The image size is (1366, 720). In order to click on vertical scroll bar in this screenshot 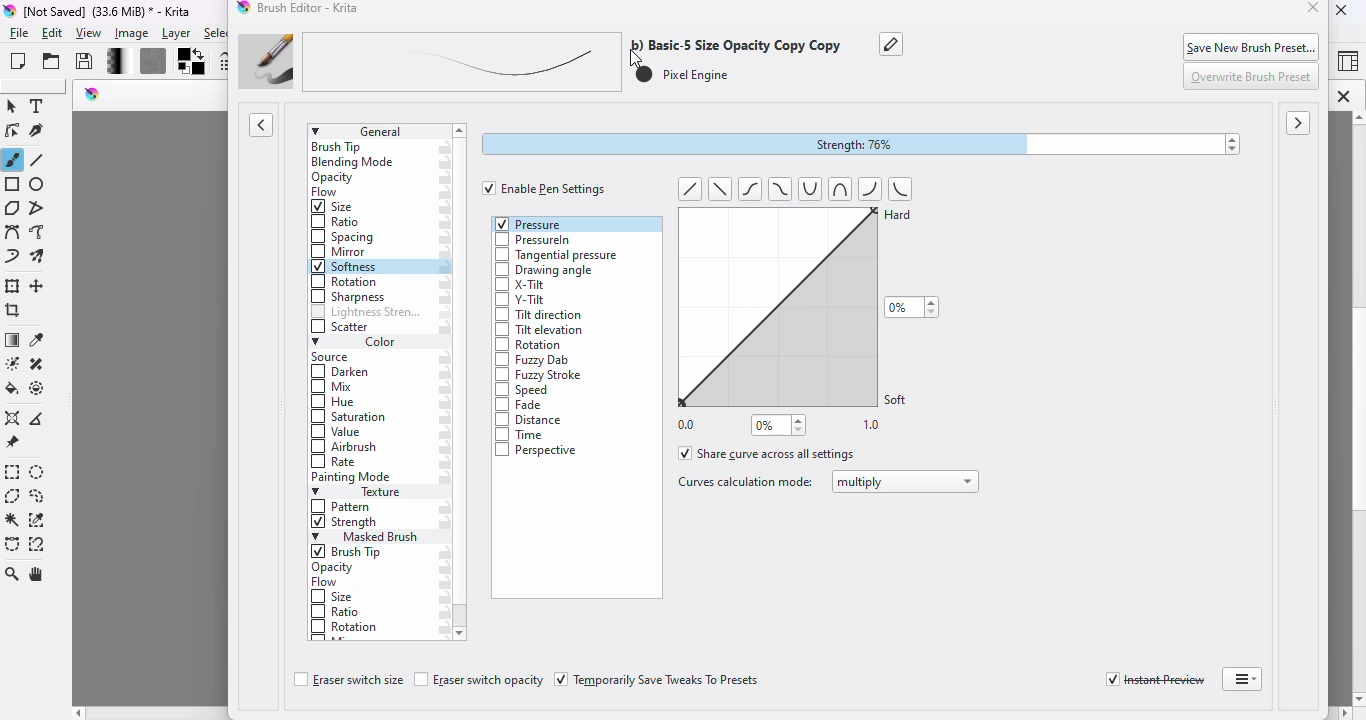, I will do `click(461, 616)`.